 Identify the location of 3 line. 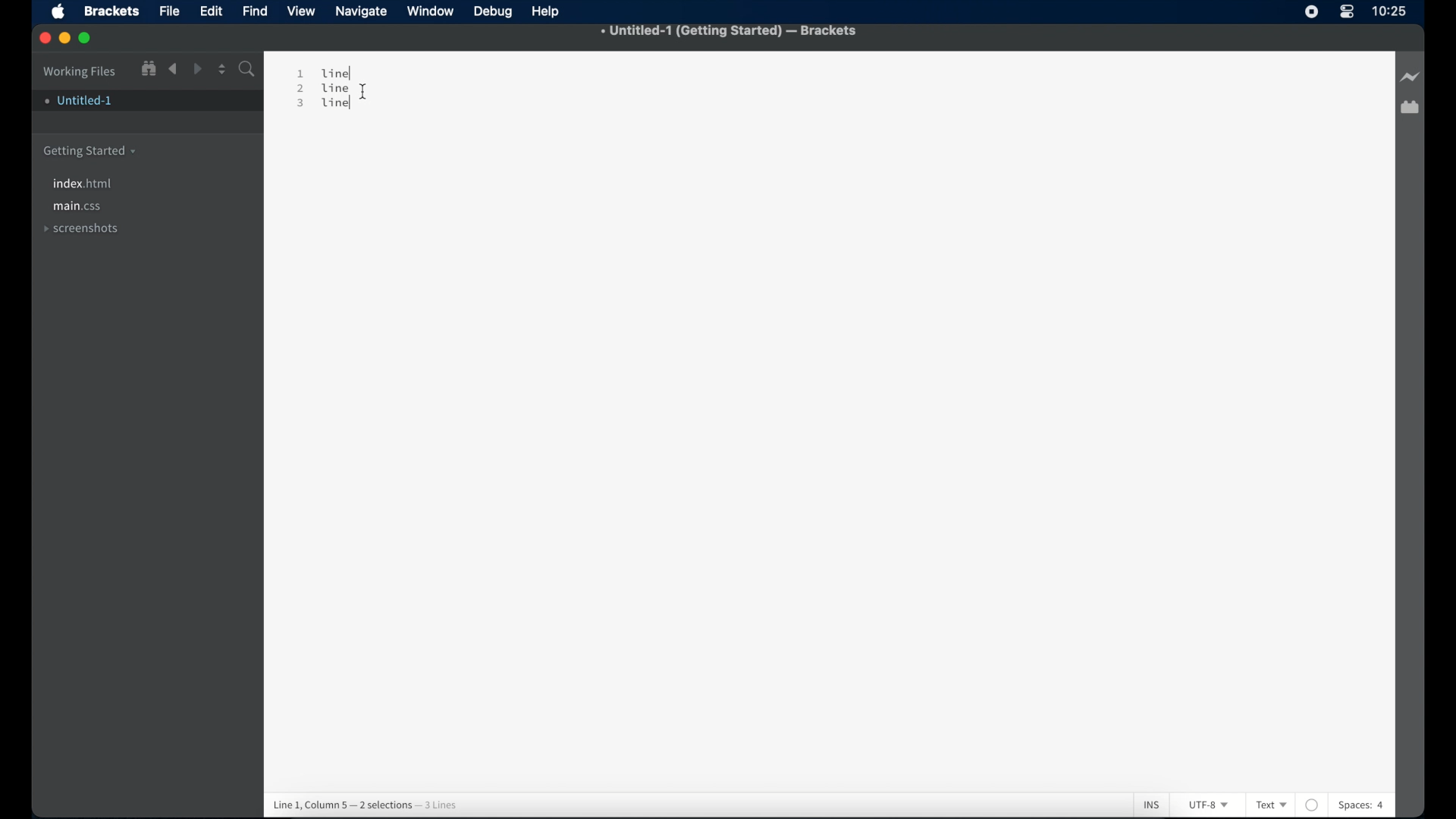
(324, 112).